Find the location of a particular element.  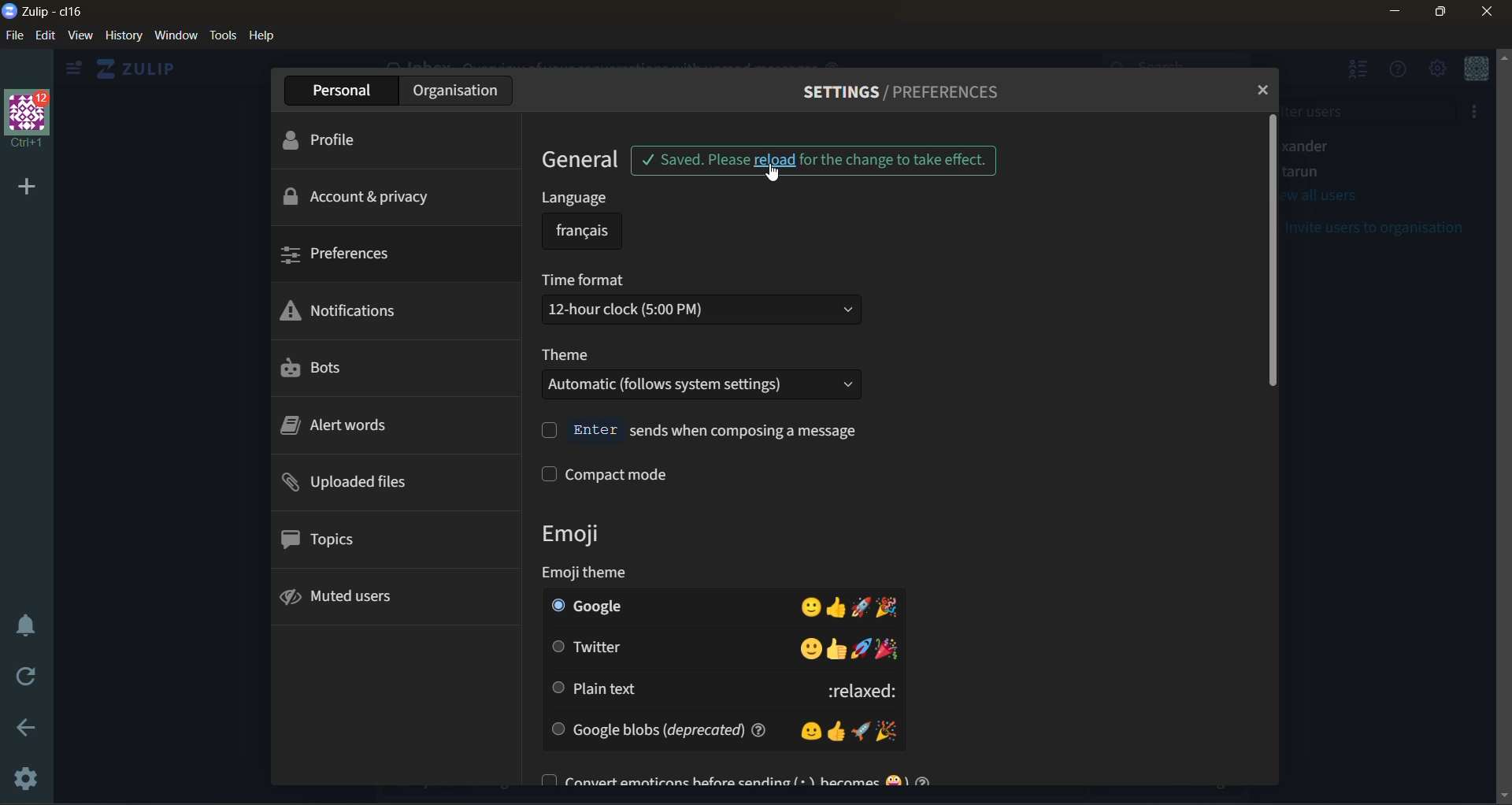

general is located at coordinates (586, 161).